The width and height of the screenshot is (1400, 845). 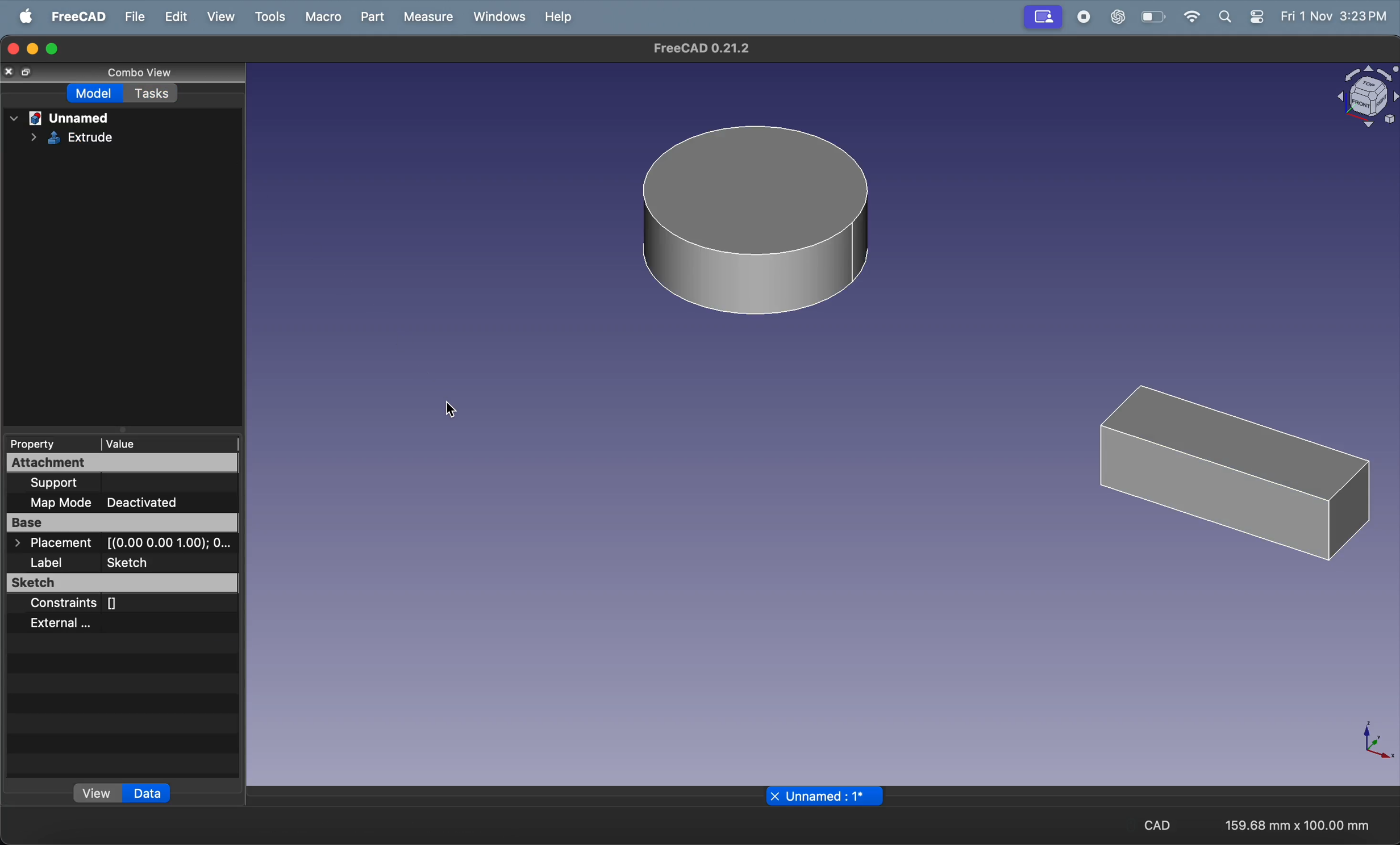 What do you see at coordinates (322, 16) in the screenshot?
I see `Marco` at bounding box center [322, 16].